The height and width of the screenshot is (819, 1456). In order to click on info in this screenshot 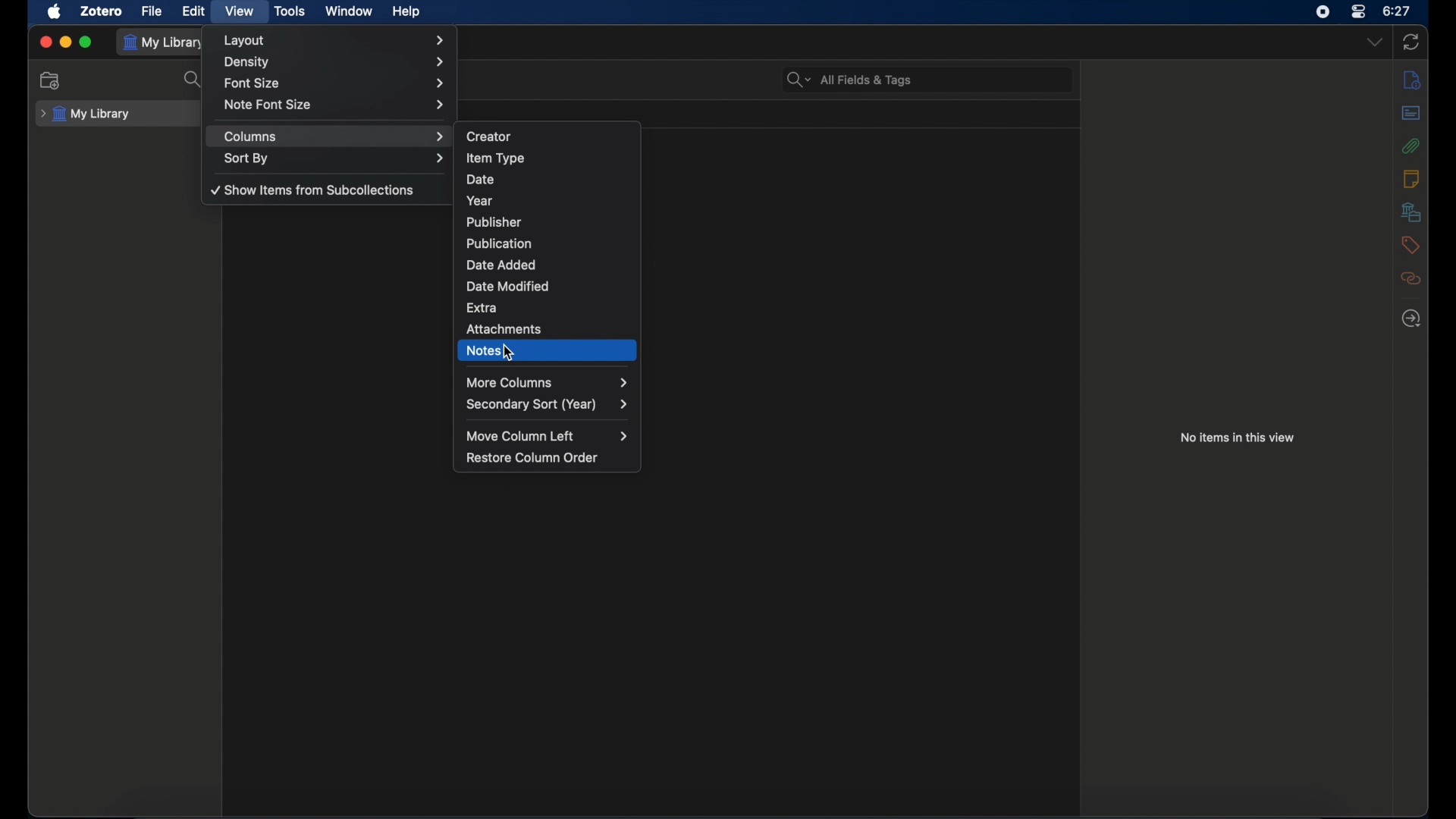, I will do `click(1412, 80)`.